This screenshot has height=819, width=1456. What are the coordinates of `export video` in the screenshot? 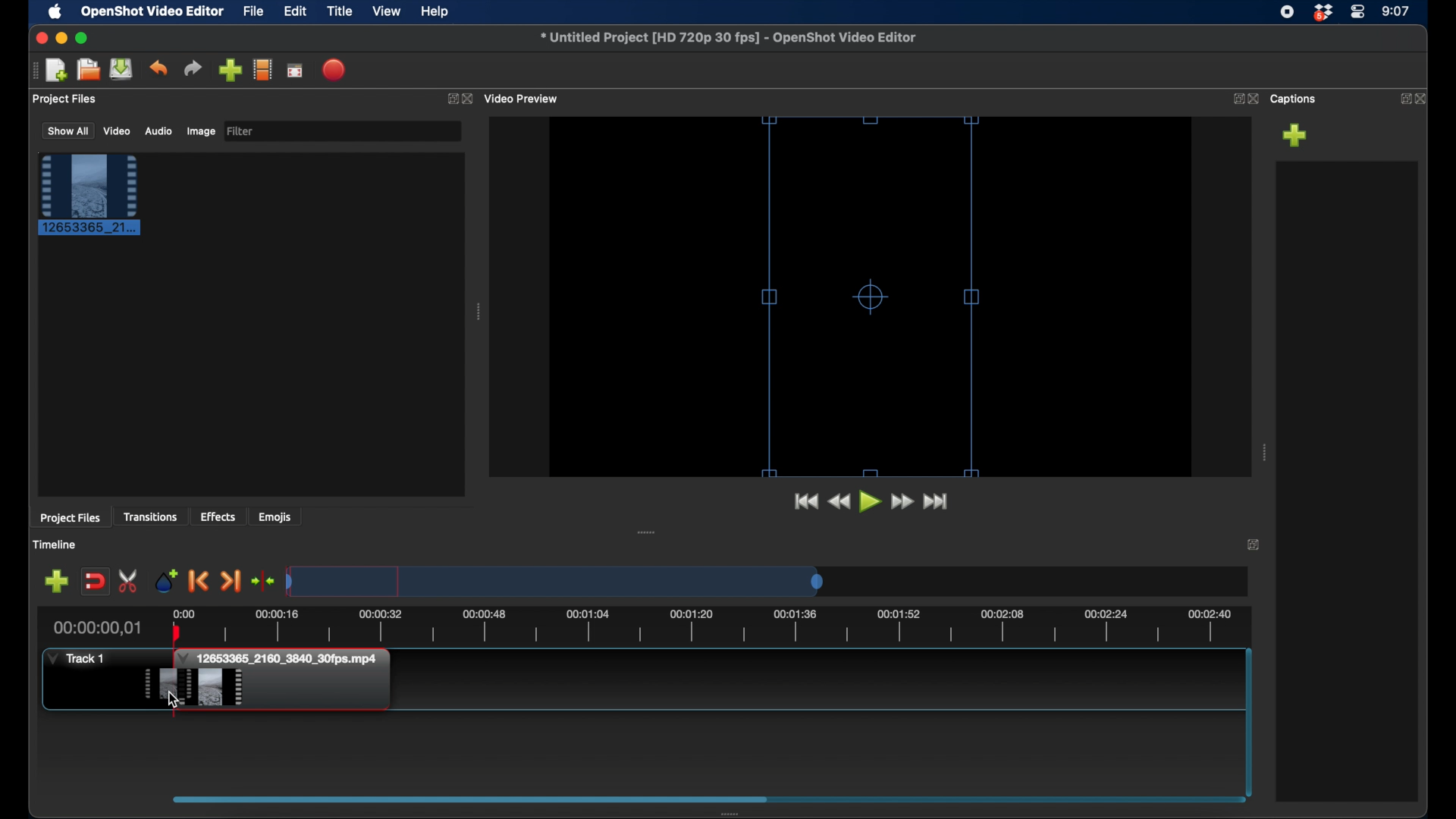 It's located at (332, 70).